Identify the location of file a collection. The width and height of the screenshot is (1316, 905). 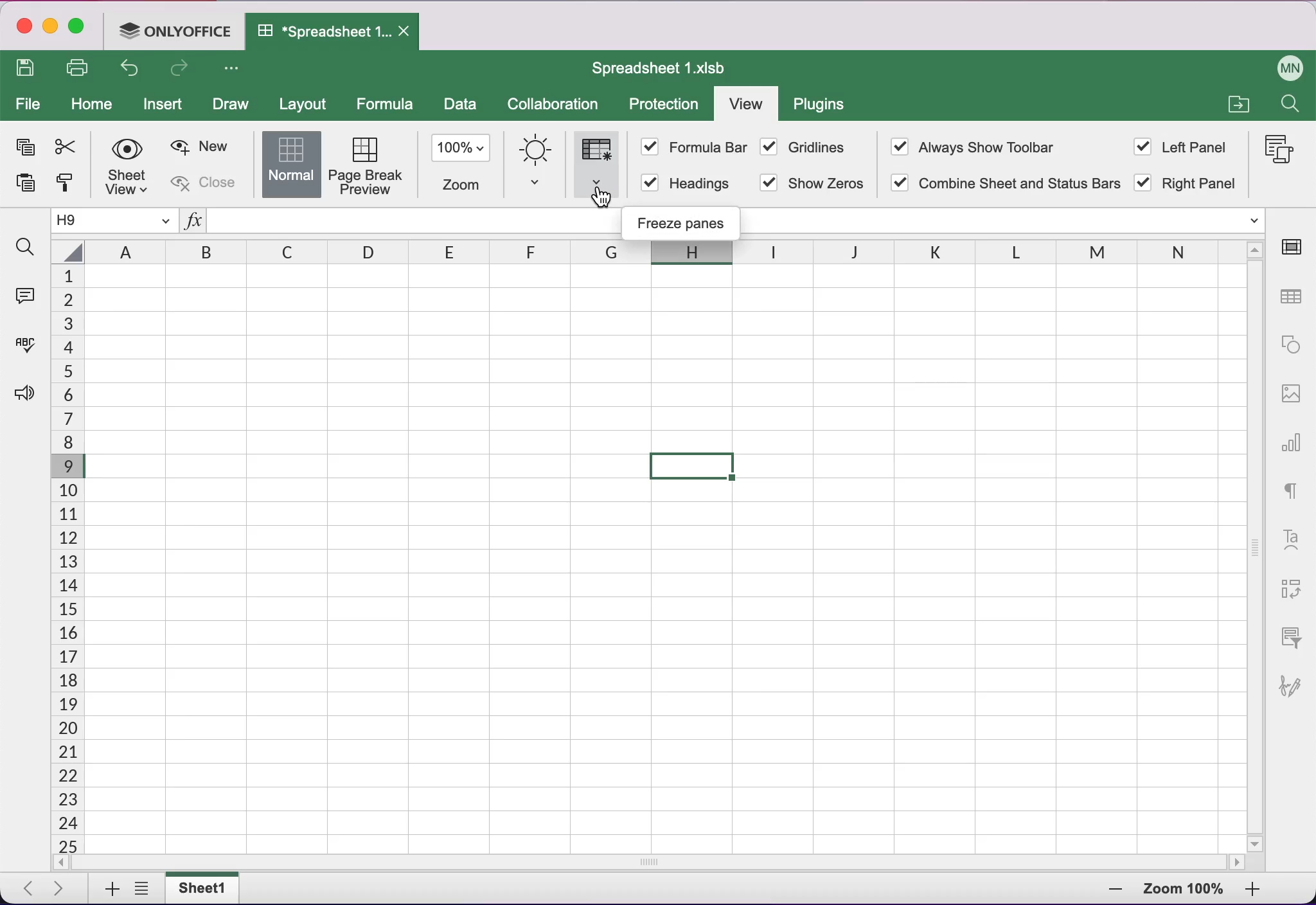
(1237, 106).